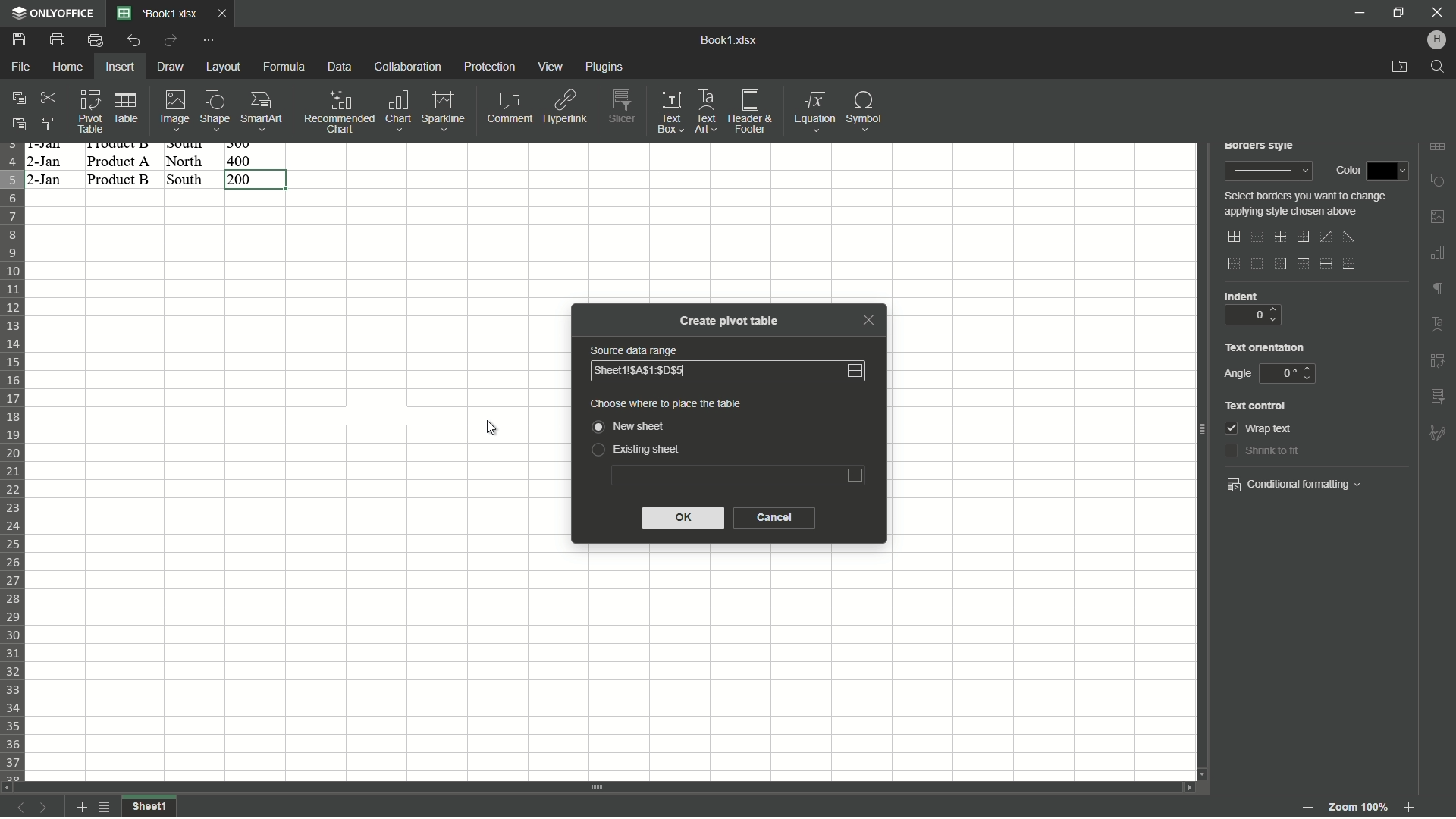 This screenshot has width=1456, height=819. Describe the element at coordinates (398, 111) in the screenshot. I see `Chart` at that location.